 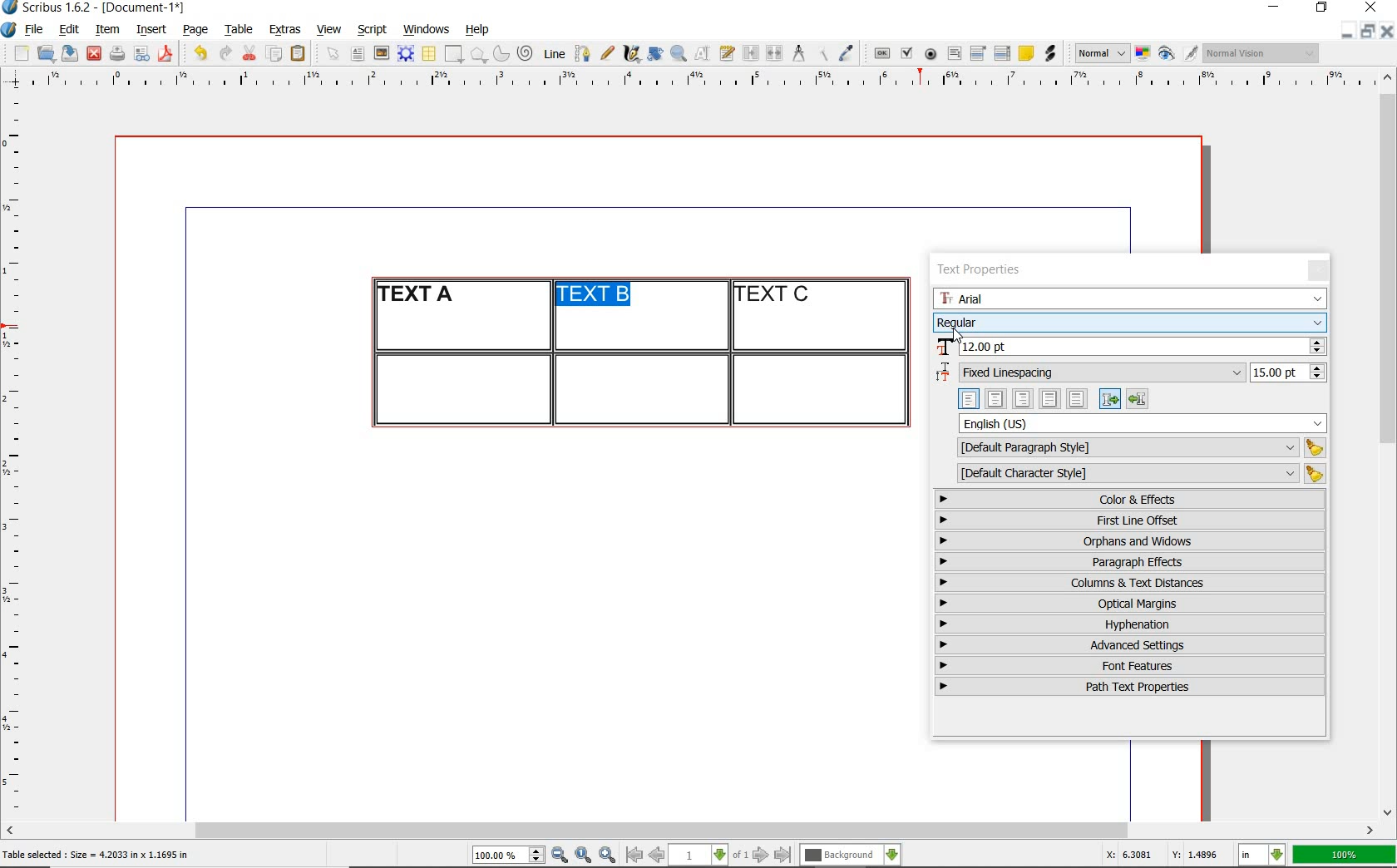 What do you see at coordinates (301, 54) in the screenshot?
I see `paste` at bounding box center [301, 54].